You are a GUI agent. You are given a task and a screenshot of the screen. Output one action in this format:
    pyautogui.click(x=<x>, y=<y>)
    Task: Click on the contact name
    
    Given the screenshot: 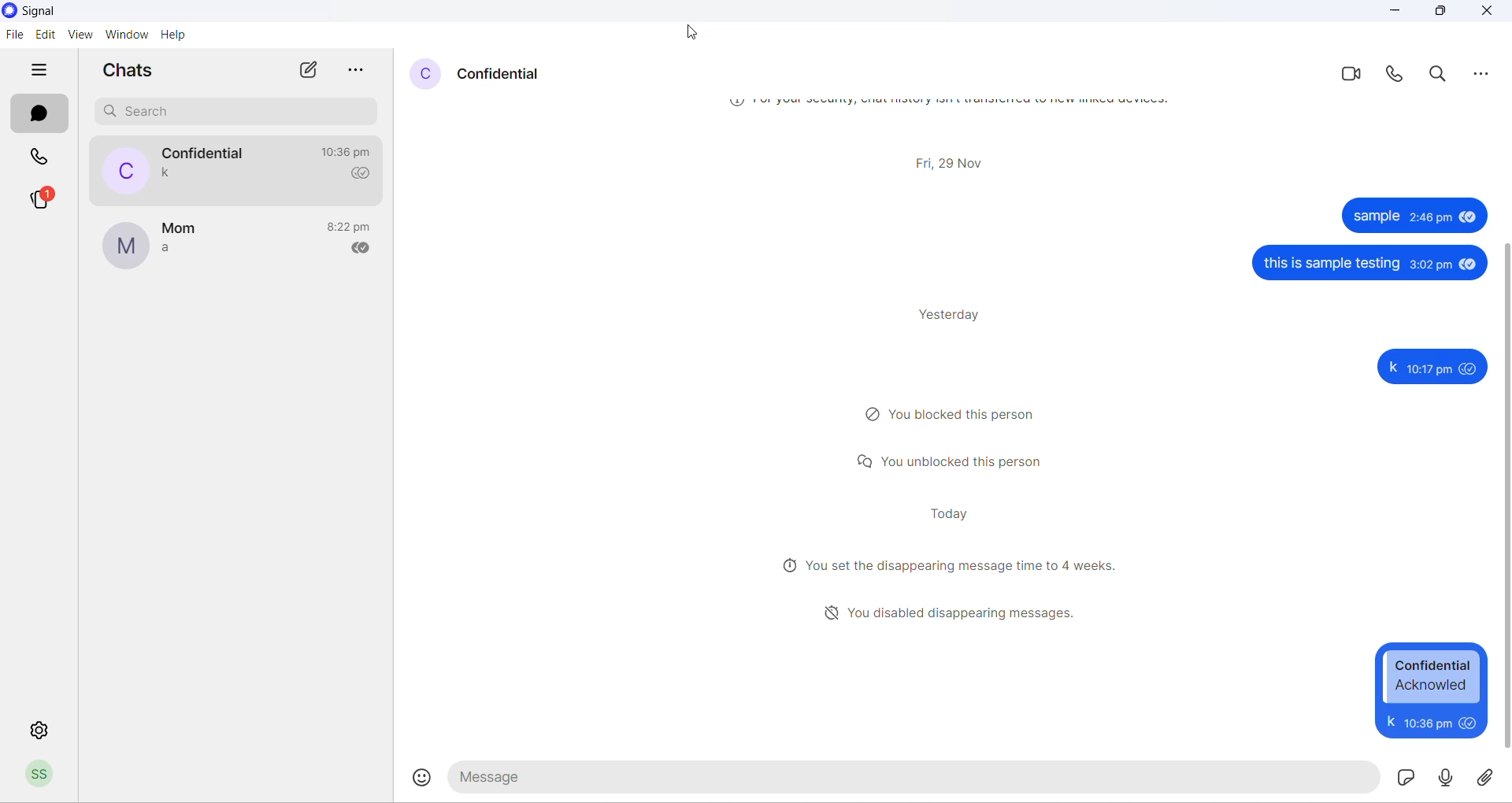 What is the action you would take?
    pyautogui.click(x=502, y=76)
    